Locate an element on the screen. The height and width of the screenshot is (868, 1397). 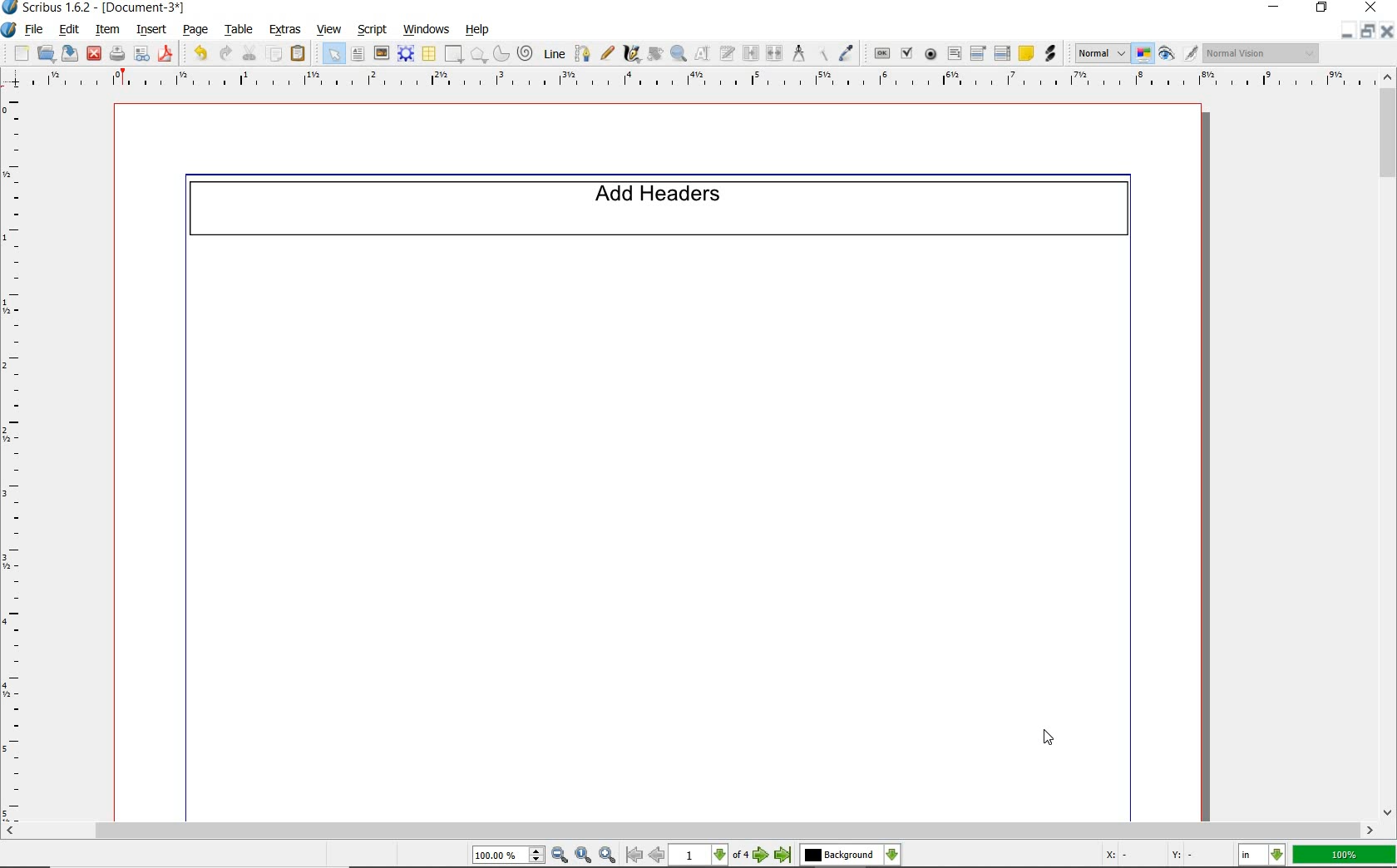
scrollbar is located at coordinates (689, 832).